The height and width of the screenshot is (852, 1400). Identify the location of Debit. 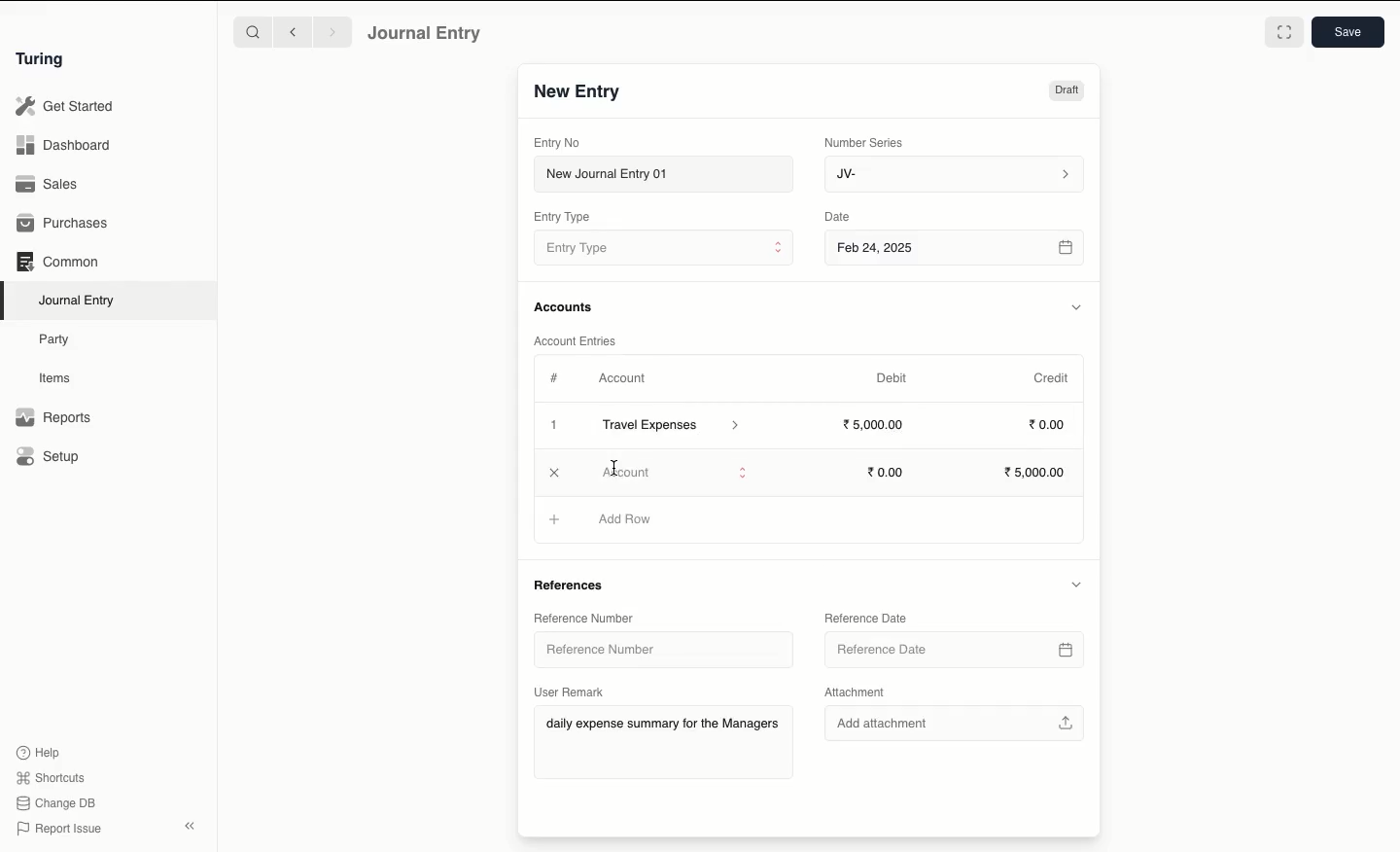
(892, 378).